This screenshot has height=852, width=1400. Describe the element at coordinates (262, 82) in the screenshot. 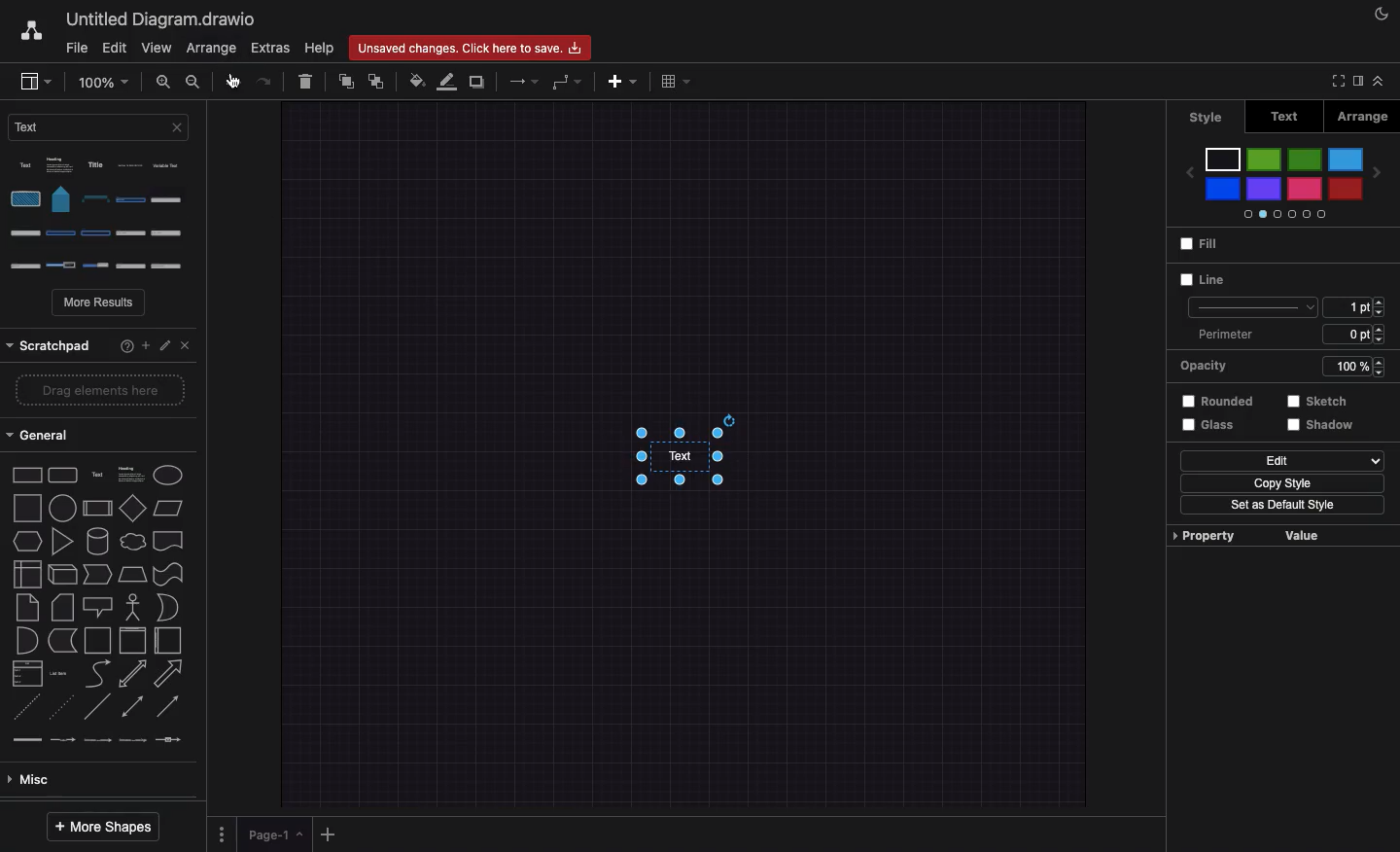

I see `Redo` at that location.